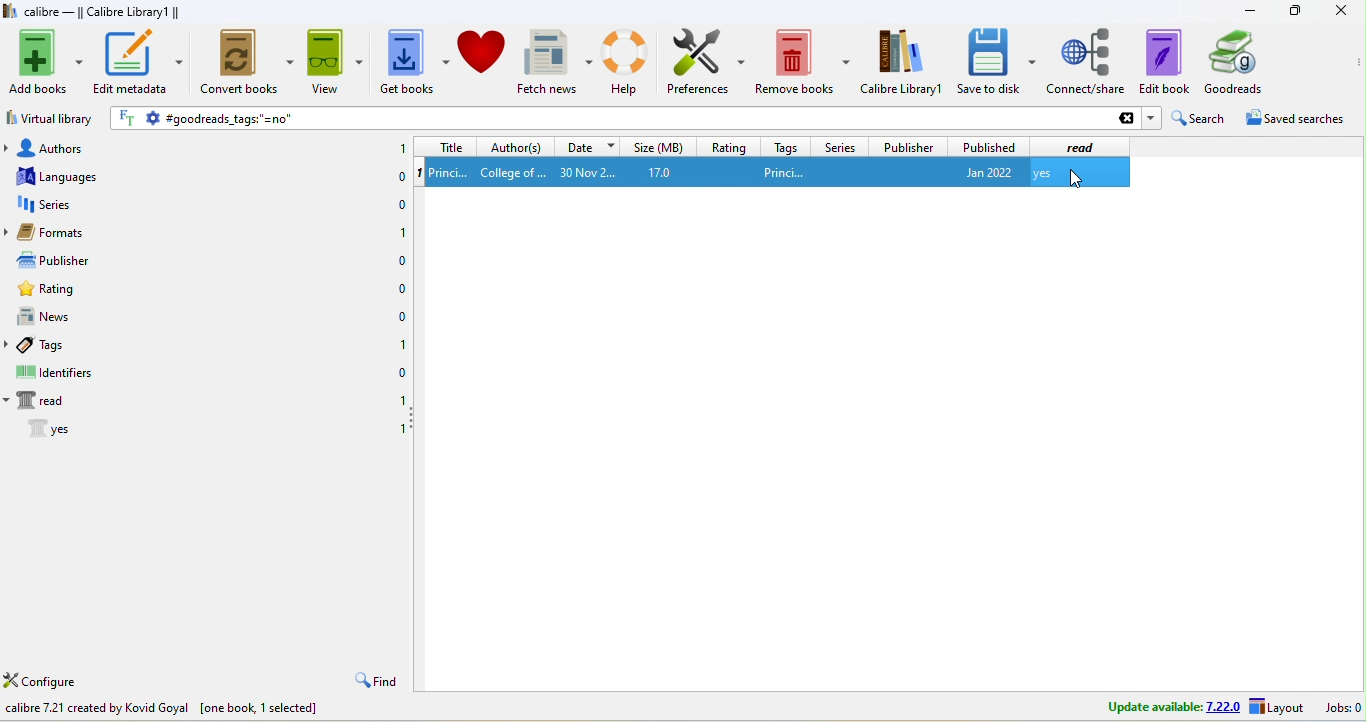 The height and width of the screenshot is (722, 1366). I want to click on 0, so click(400, 371).